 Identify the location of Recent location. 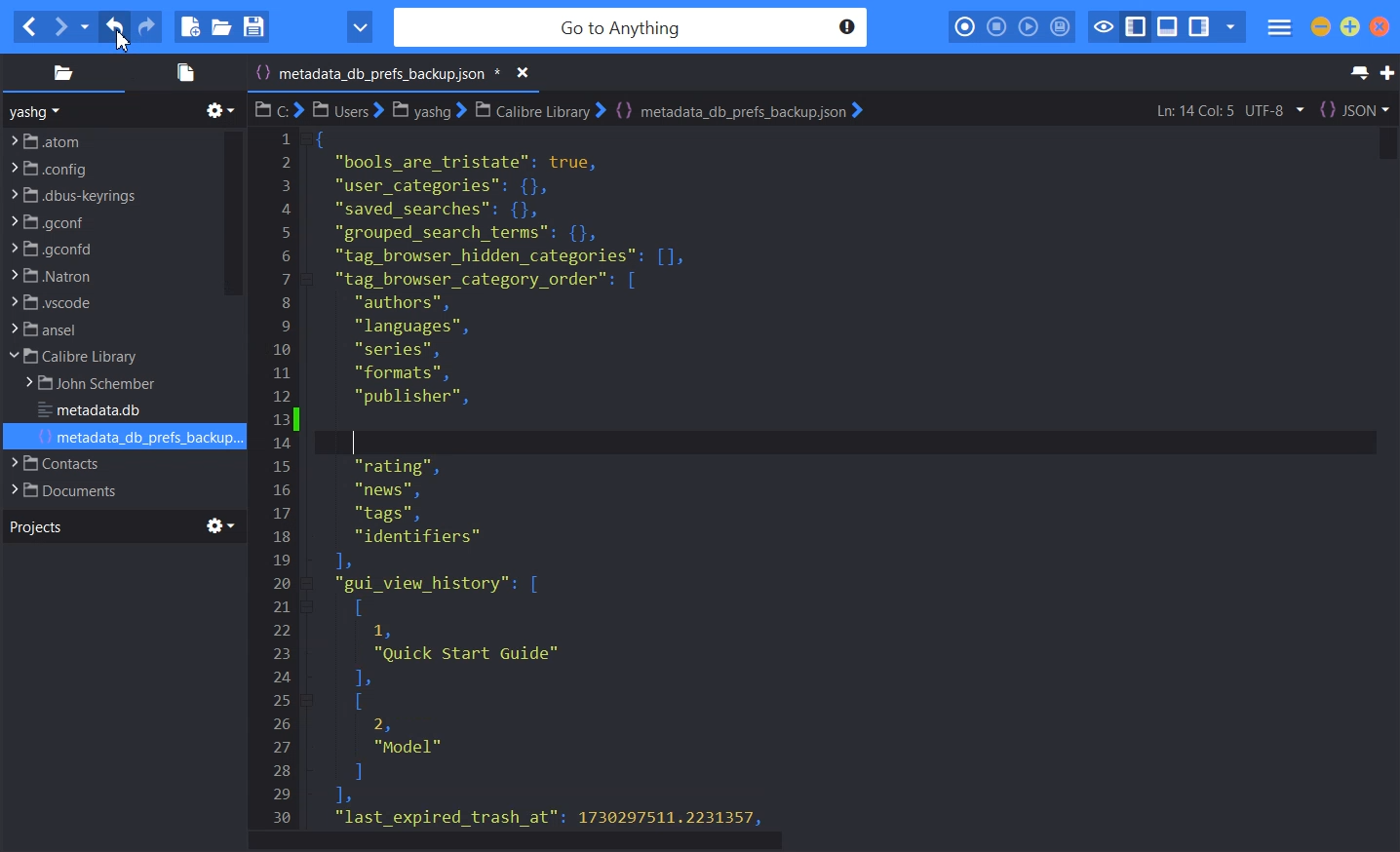
(85, 27).